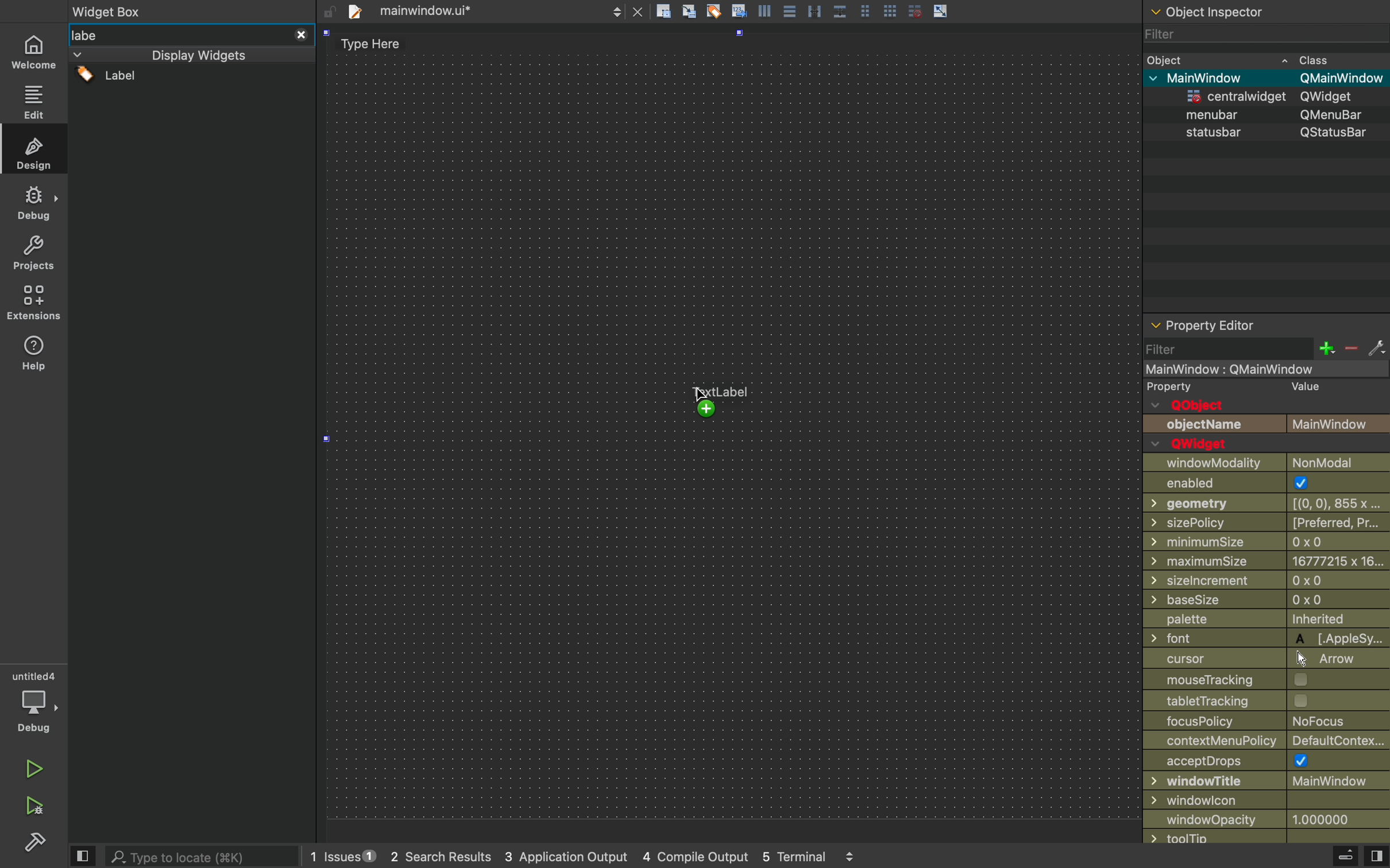  I want to click on design, so click(33, 149).